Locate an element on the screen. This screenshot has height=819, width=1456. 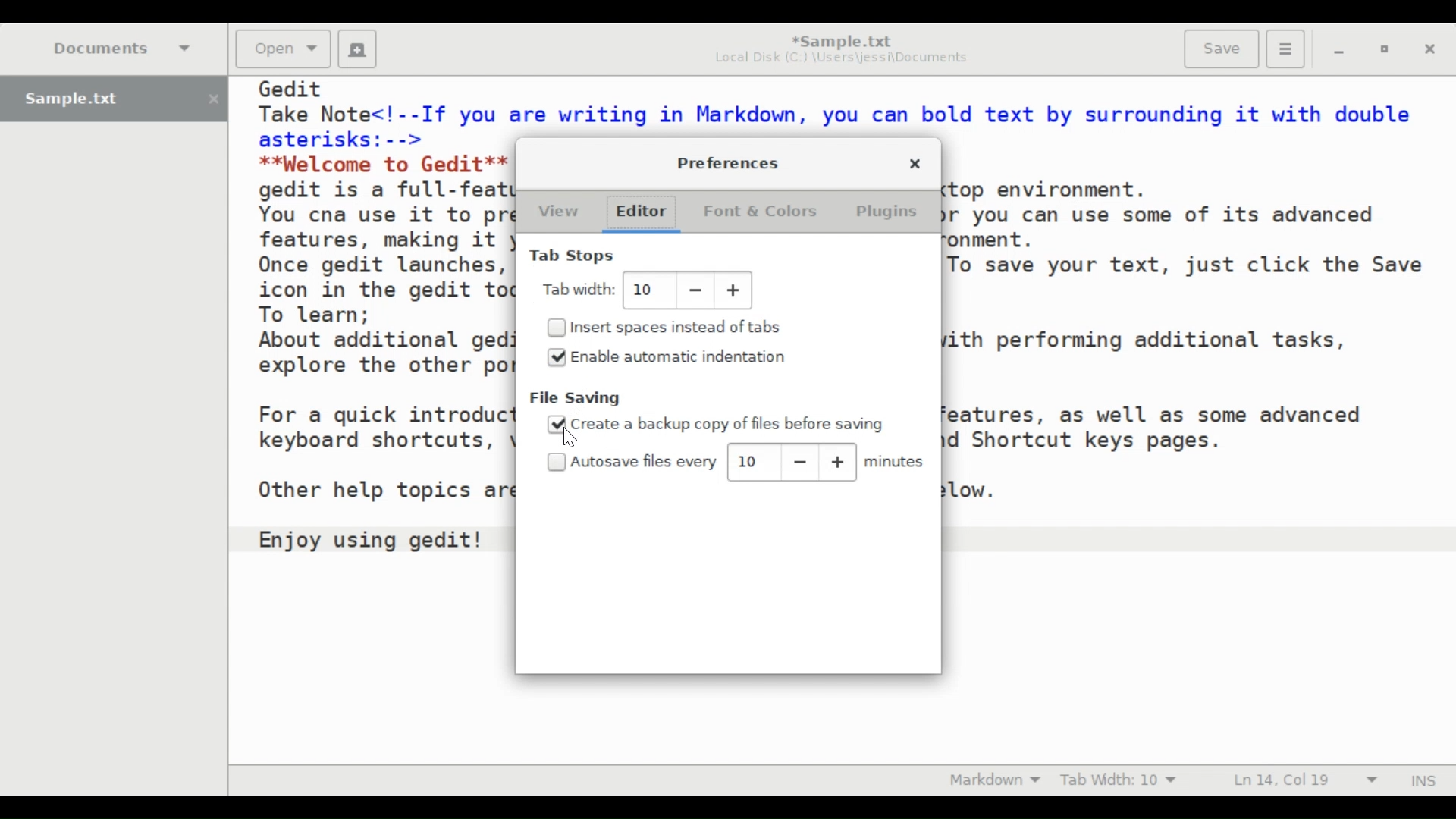
Cursor is located at coordinates (570, 438).